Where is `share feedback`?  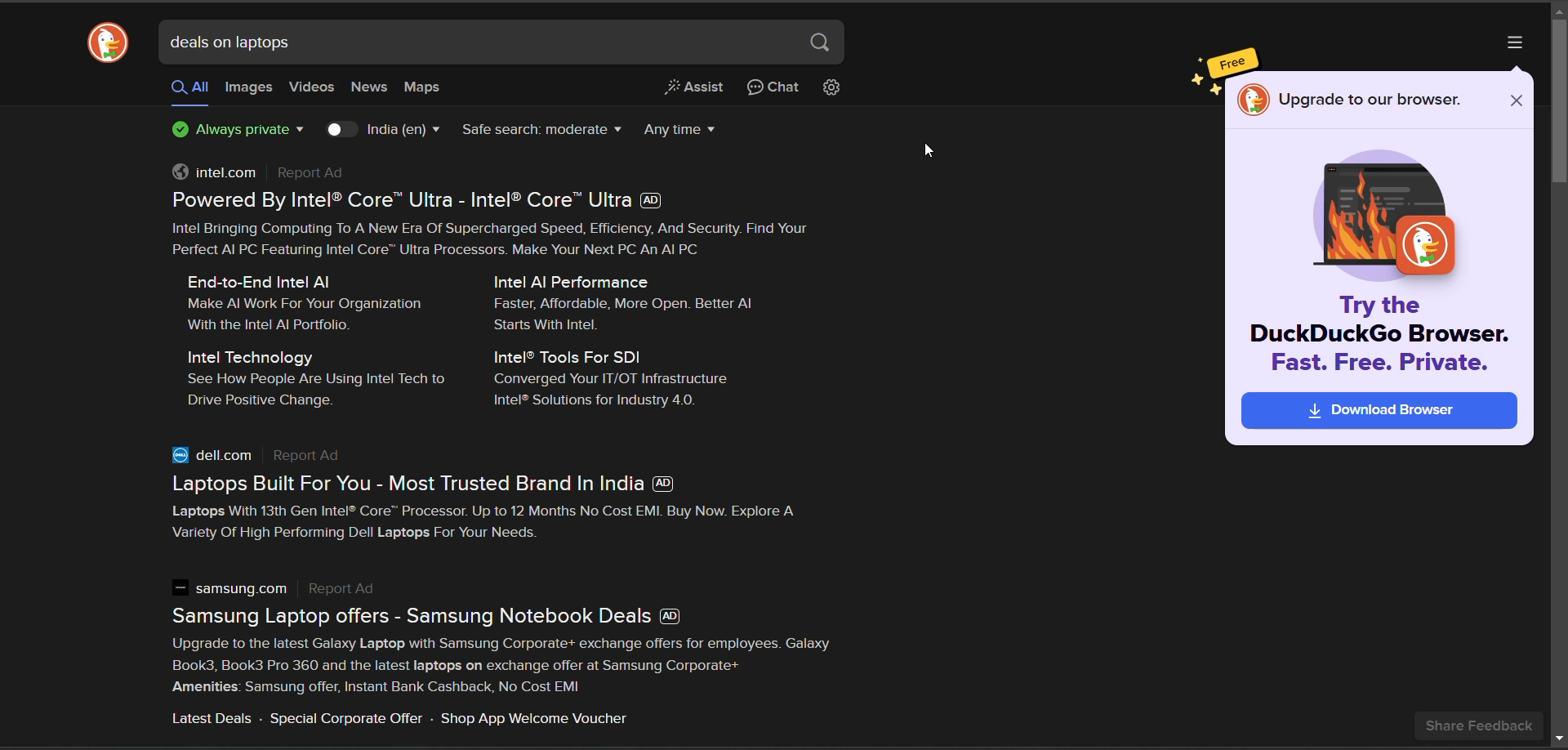 share feedback is located at coordinates (1482, 725).